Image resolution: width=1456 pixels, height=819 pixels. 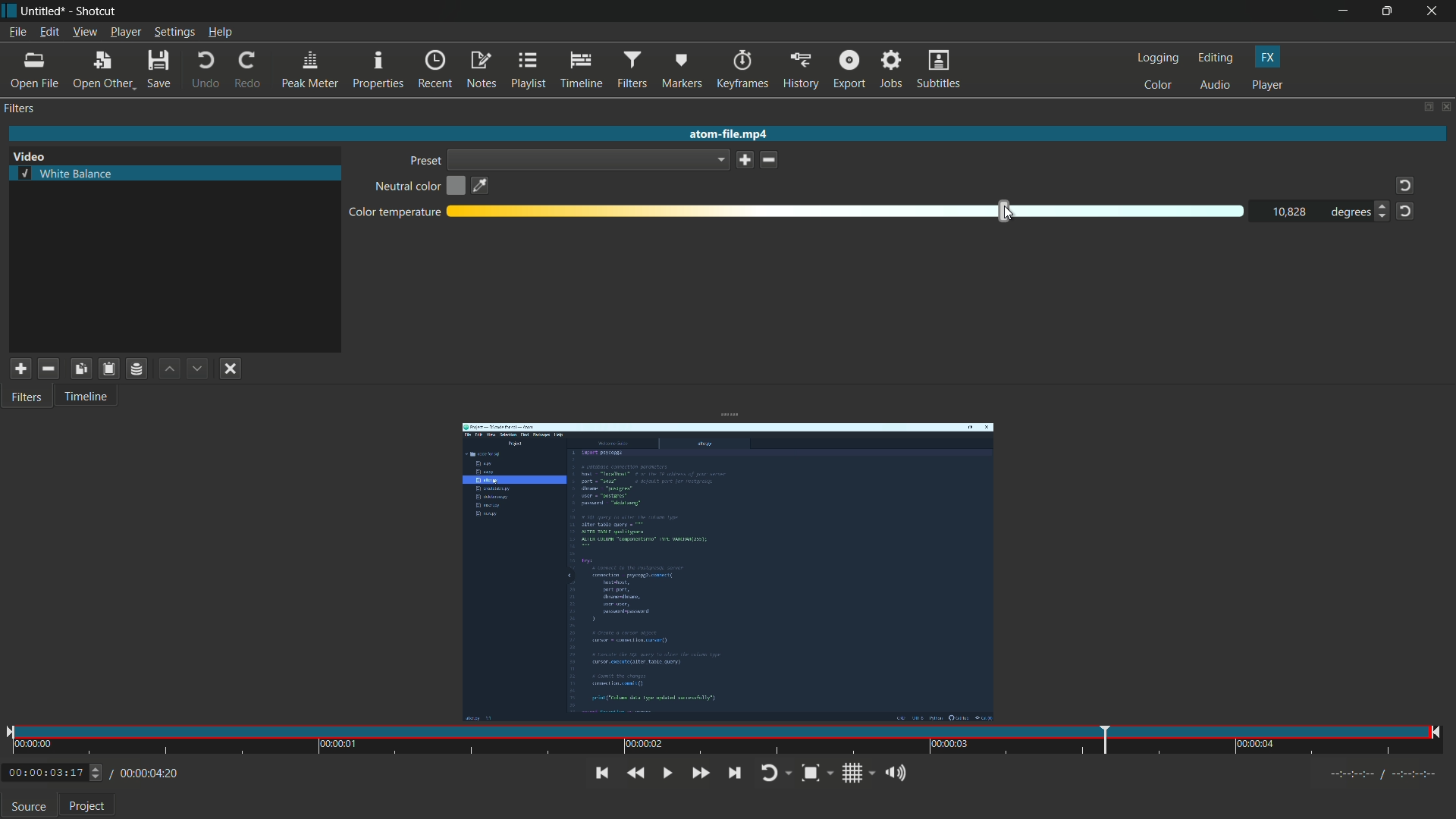 I want to click on fx, so click(x=1267, y=58).